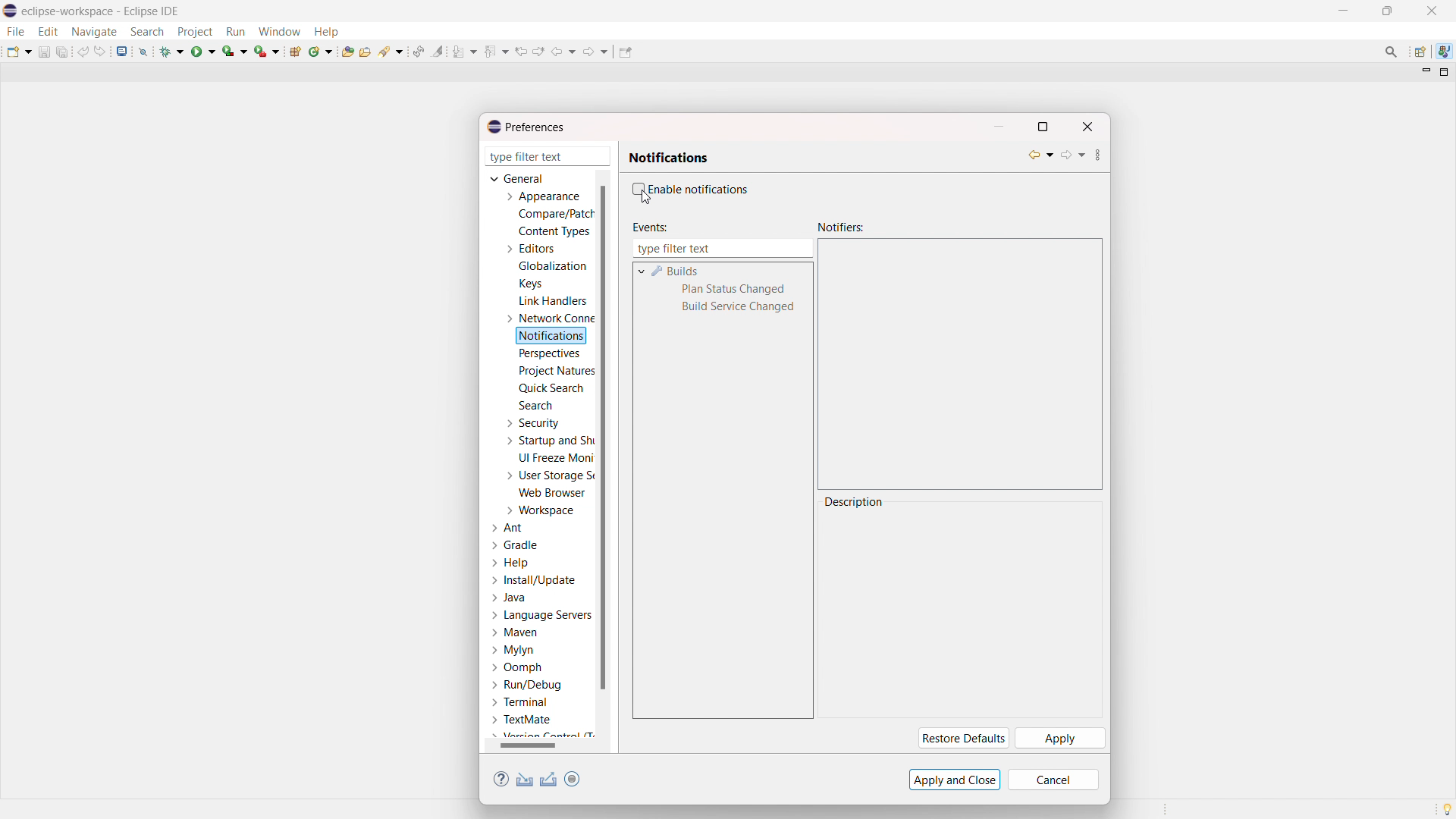  Describe the element at coordinates (501, 780) in the screenshot. I see `help` at that location.